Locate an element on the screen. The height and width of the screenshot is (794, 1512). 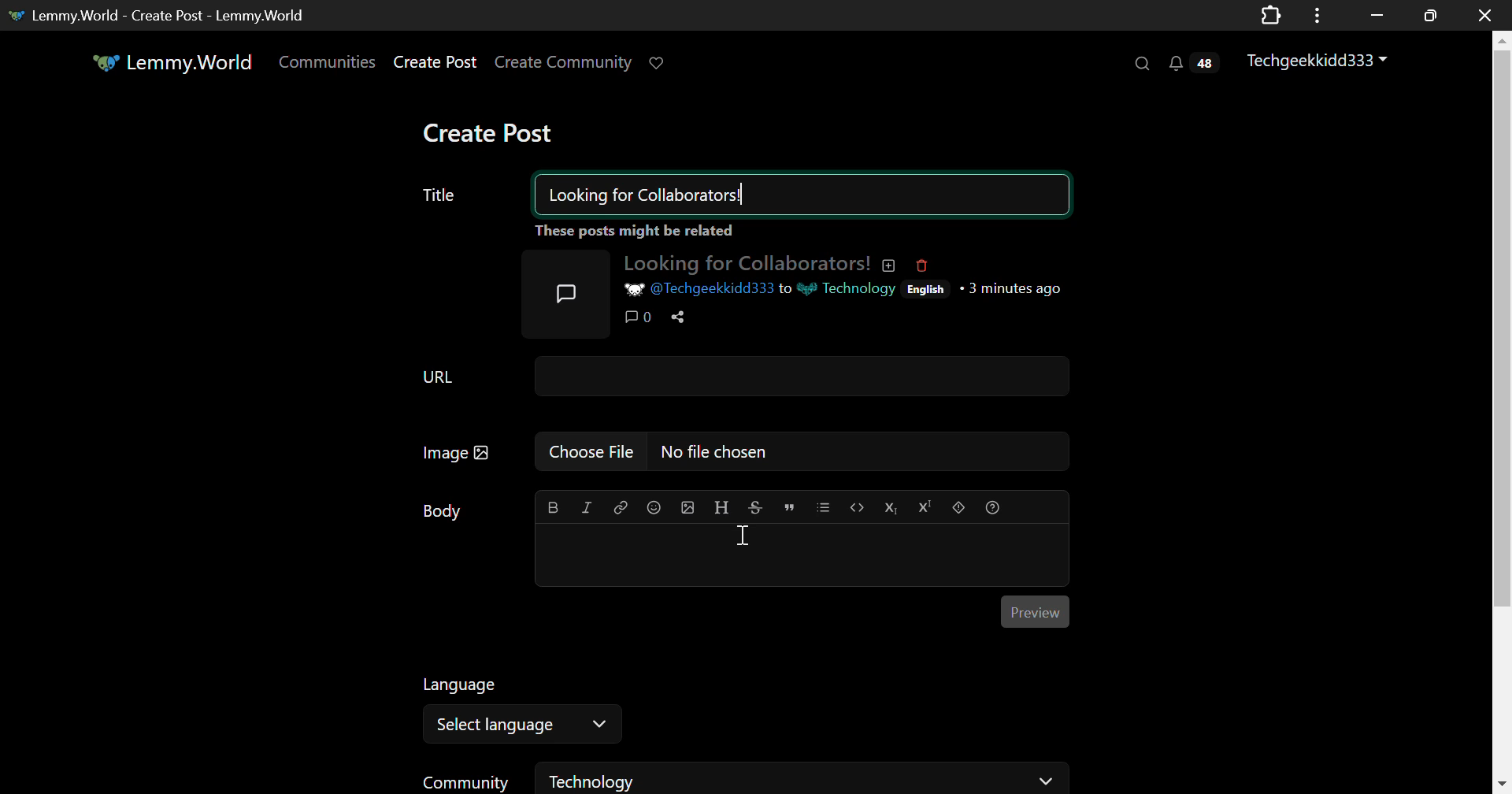
Techgeekkidd333 is located at coordinates (1319, 61).